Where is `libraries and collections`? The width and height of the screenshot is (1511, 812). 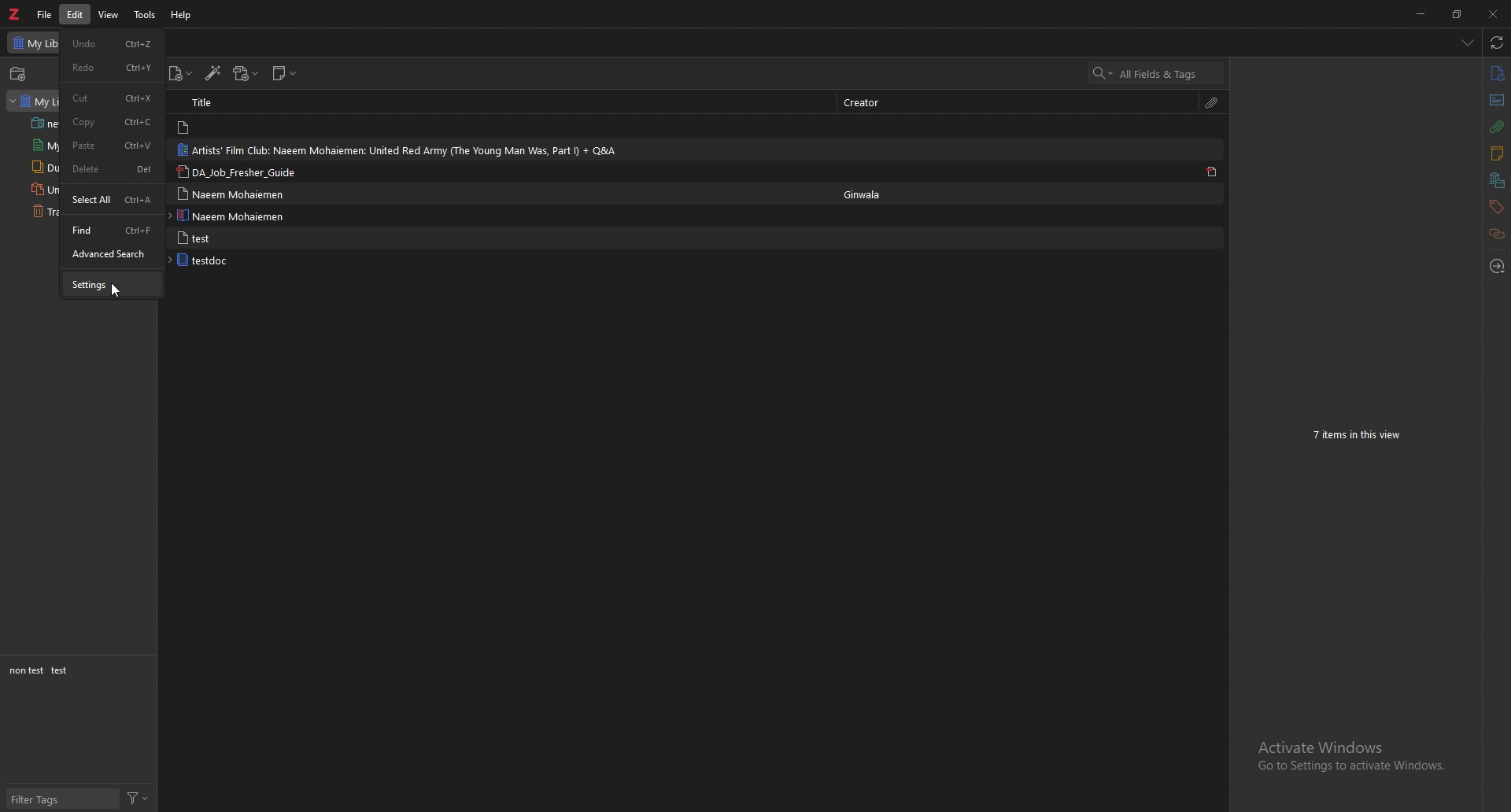 libraries and collections is located at coordinates (1497, 181).